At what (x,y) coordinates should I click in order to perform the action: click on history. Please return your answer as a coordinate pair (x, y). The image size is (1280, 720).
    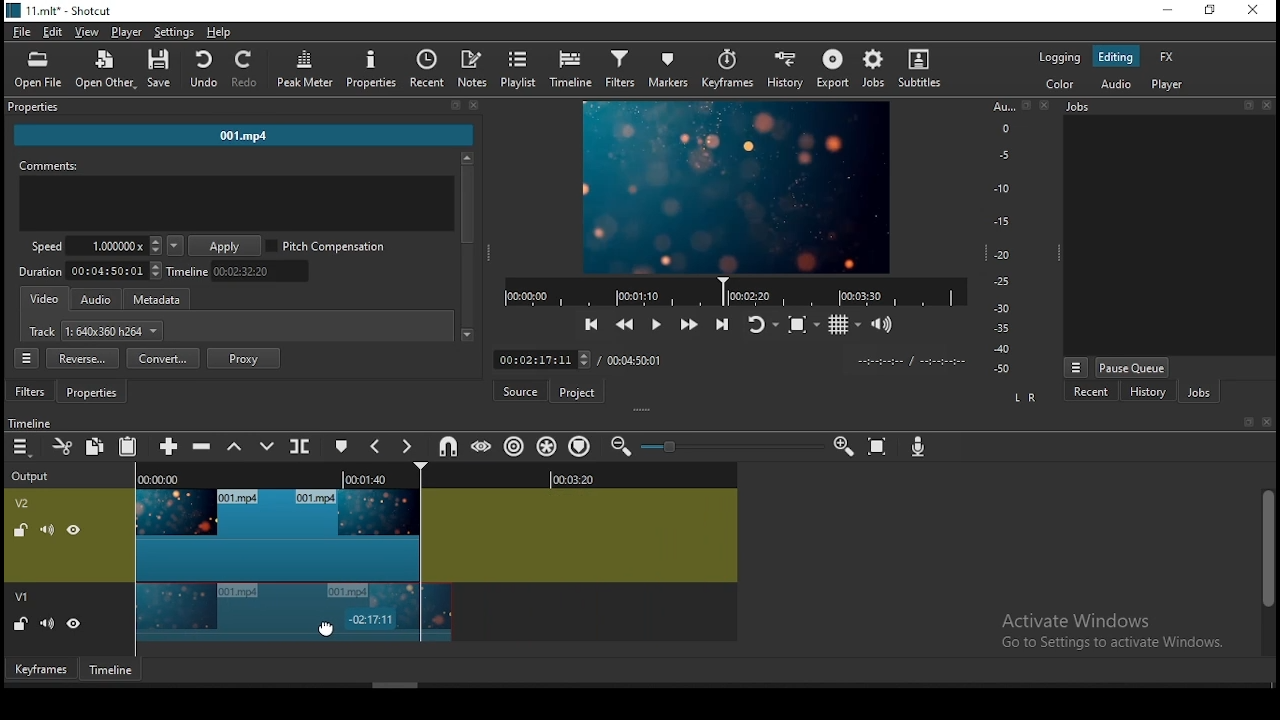
    Looking at the image, I should click on (1144, 393).